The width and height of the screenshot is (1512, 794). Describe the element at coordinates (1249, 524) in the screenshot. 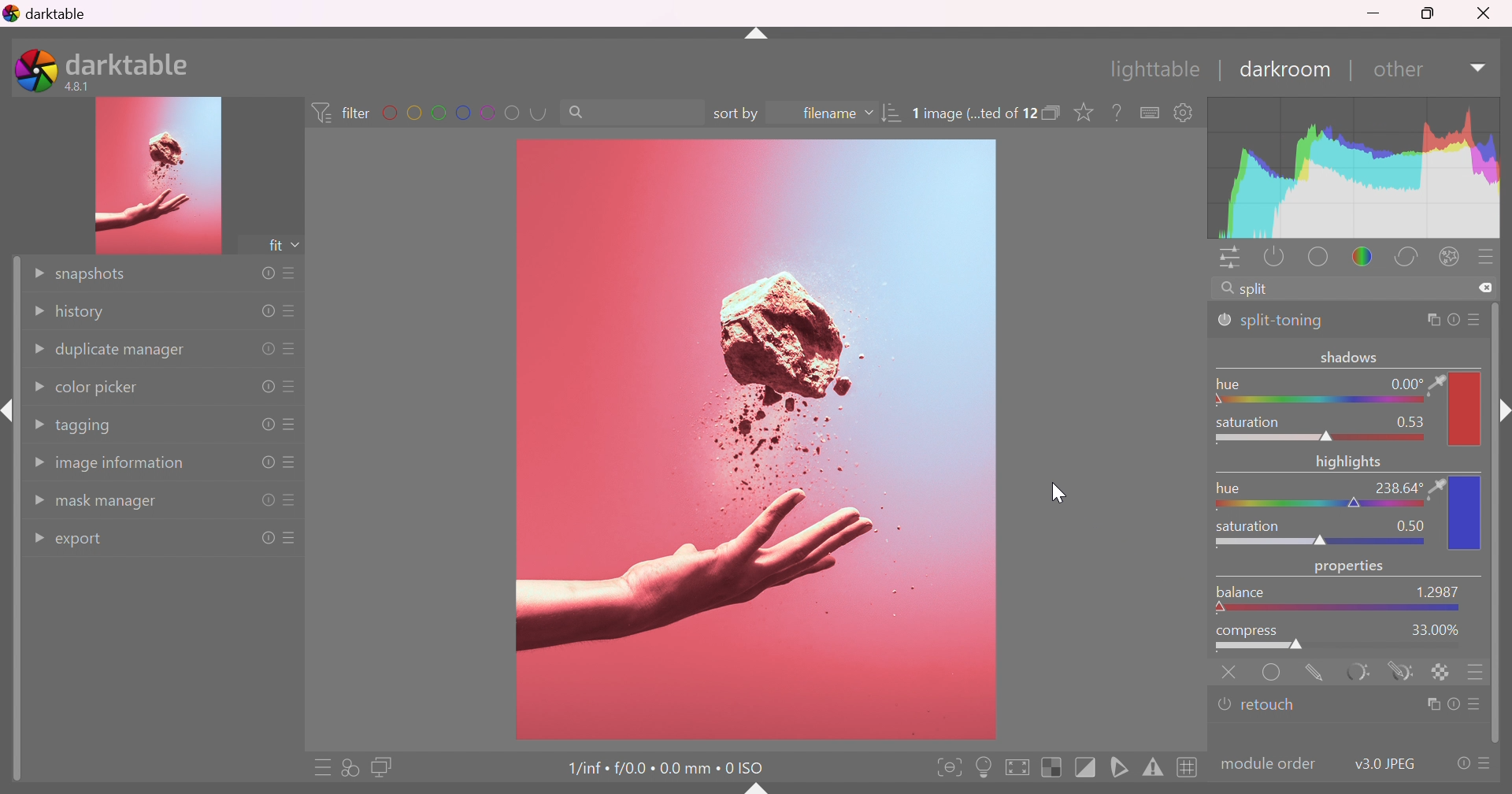

I see `saturation` at that location.